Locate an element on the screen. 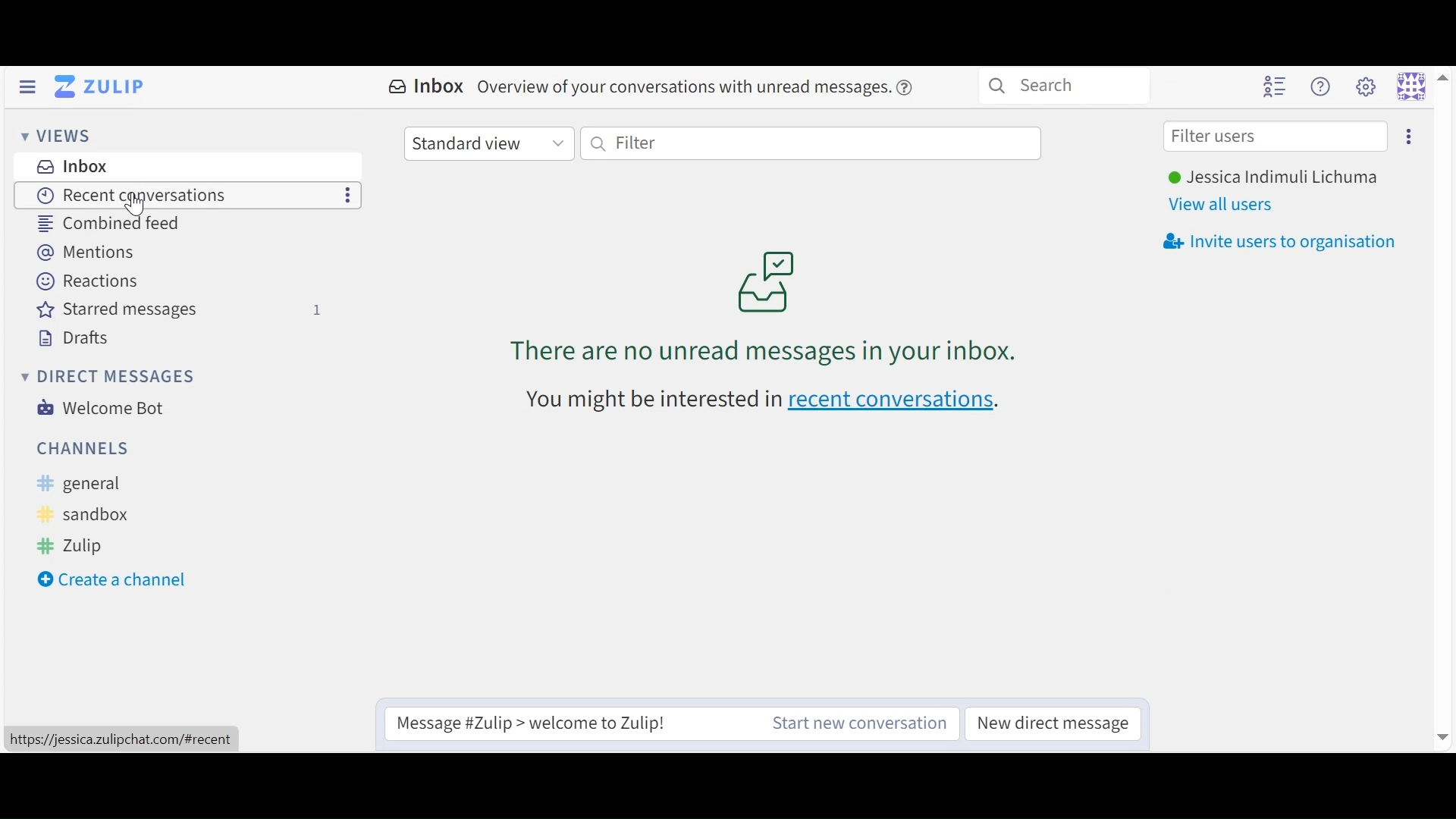  Filter users is located at coordinates (1276, 134).